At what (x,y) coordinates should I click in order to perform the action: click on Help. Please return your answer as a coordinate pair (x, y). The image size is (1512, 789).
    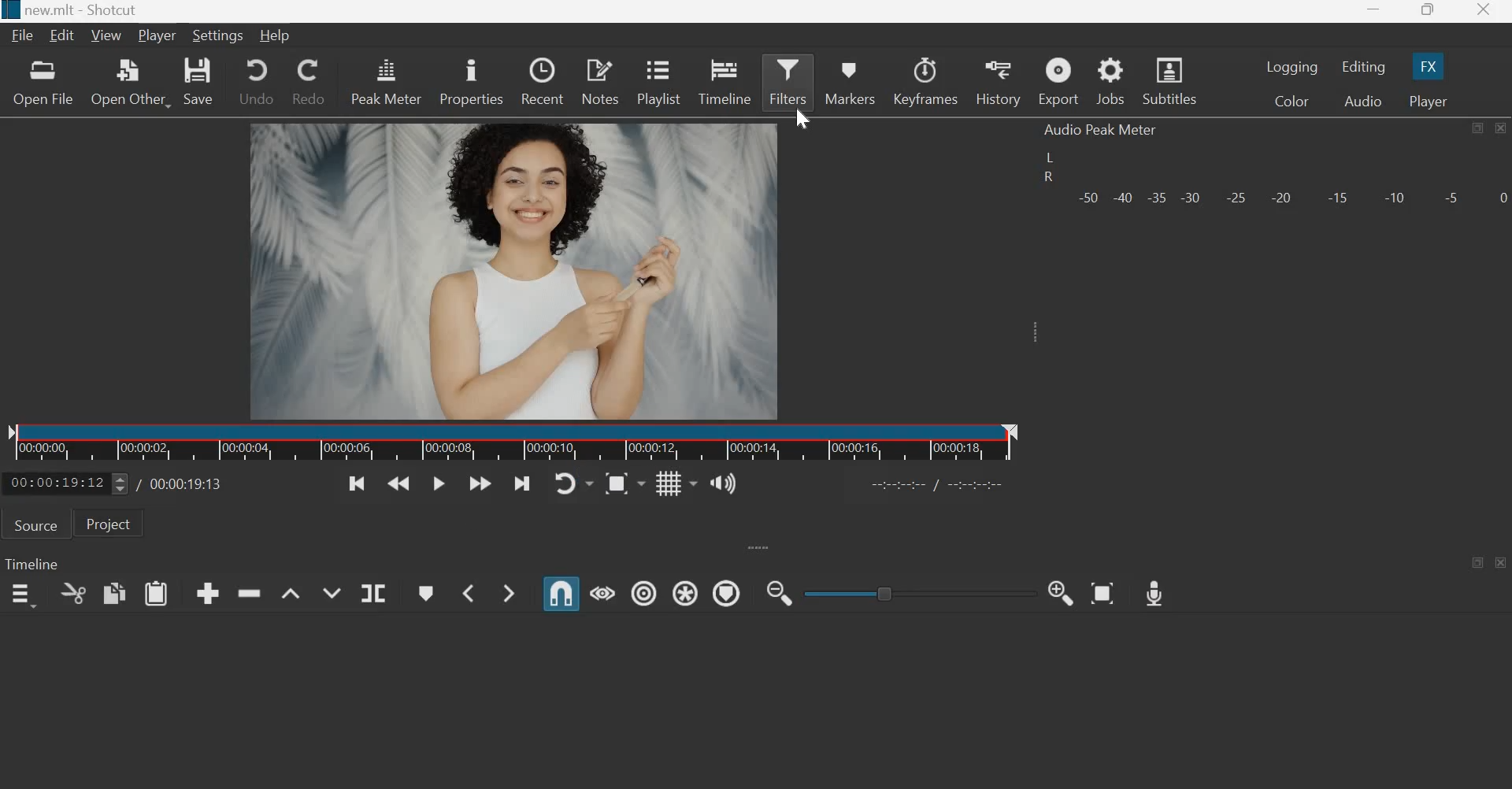
    Looking at the image, I should click on (280, 34).